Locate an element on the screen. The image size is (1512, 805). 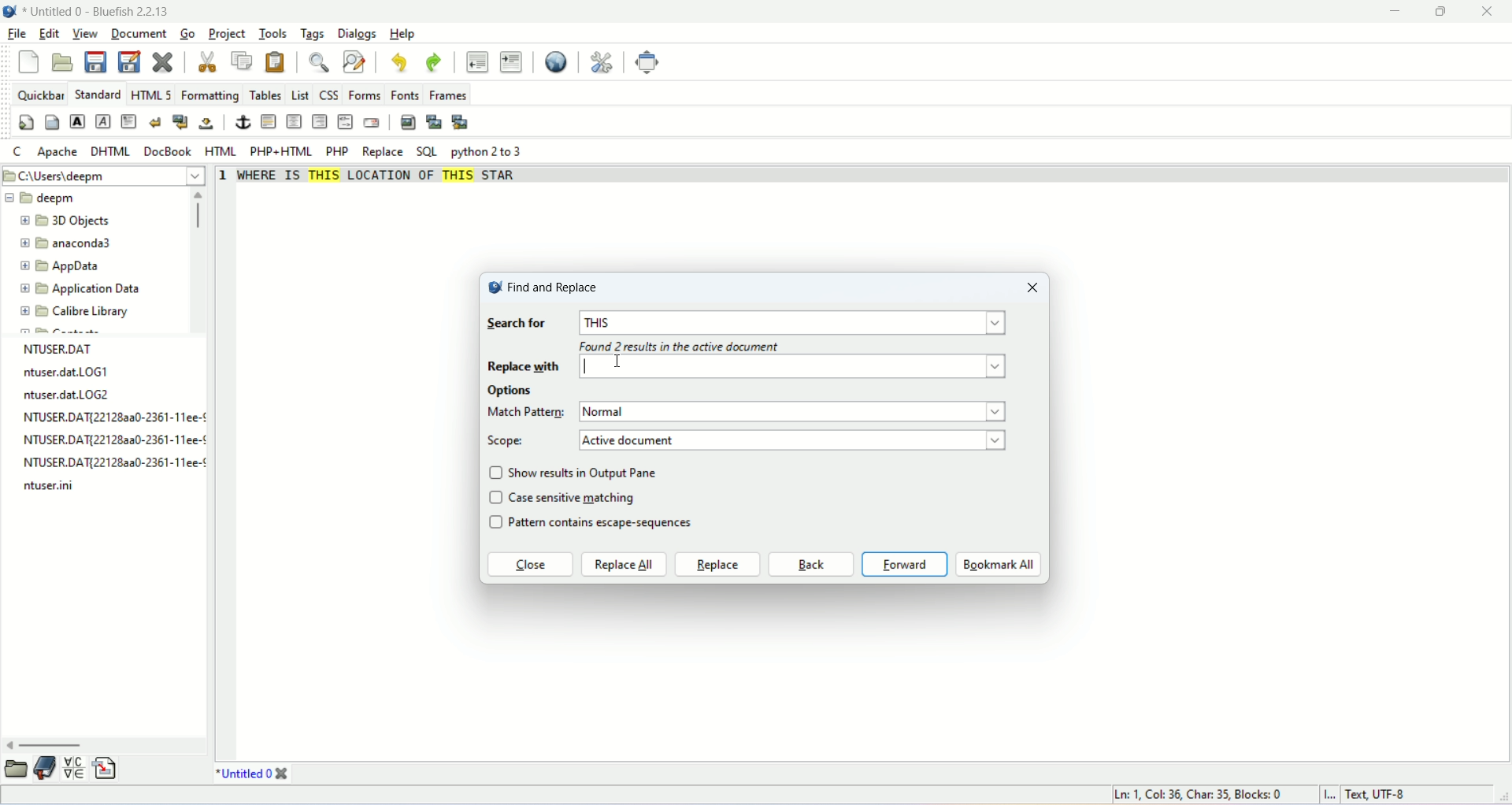
NTUSER.DAT is located at coordinates (61, 348).